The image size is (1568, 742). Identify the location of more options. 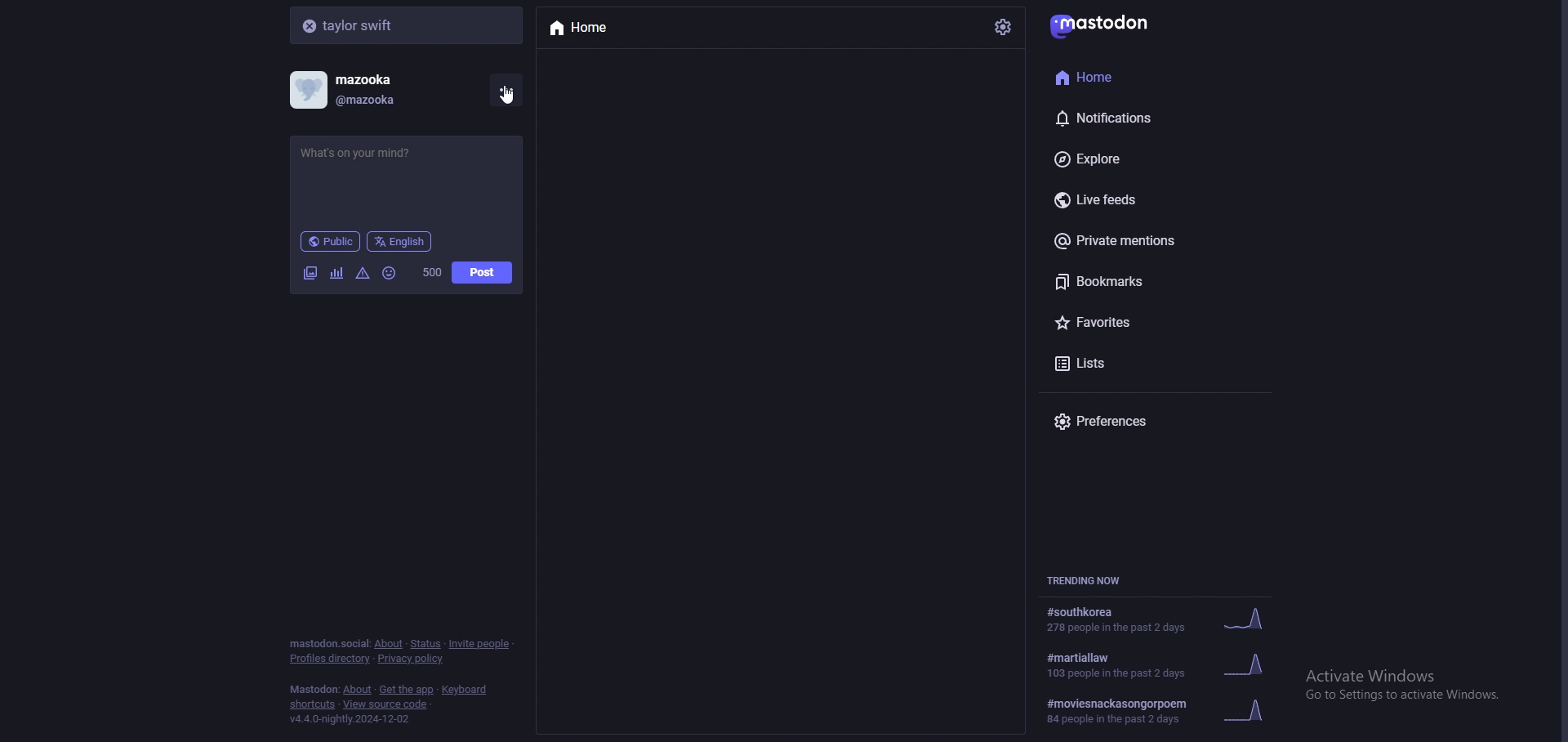
(505, 89).